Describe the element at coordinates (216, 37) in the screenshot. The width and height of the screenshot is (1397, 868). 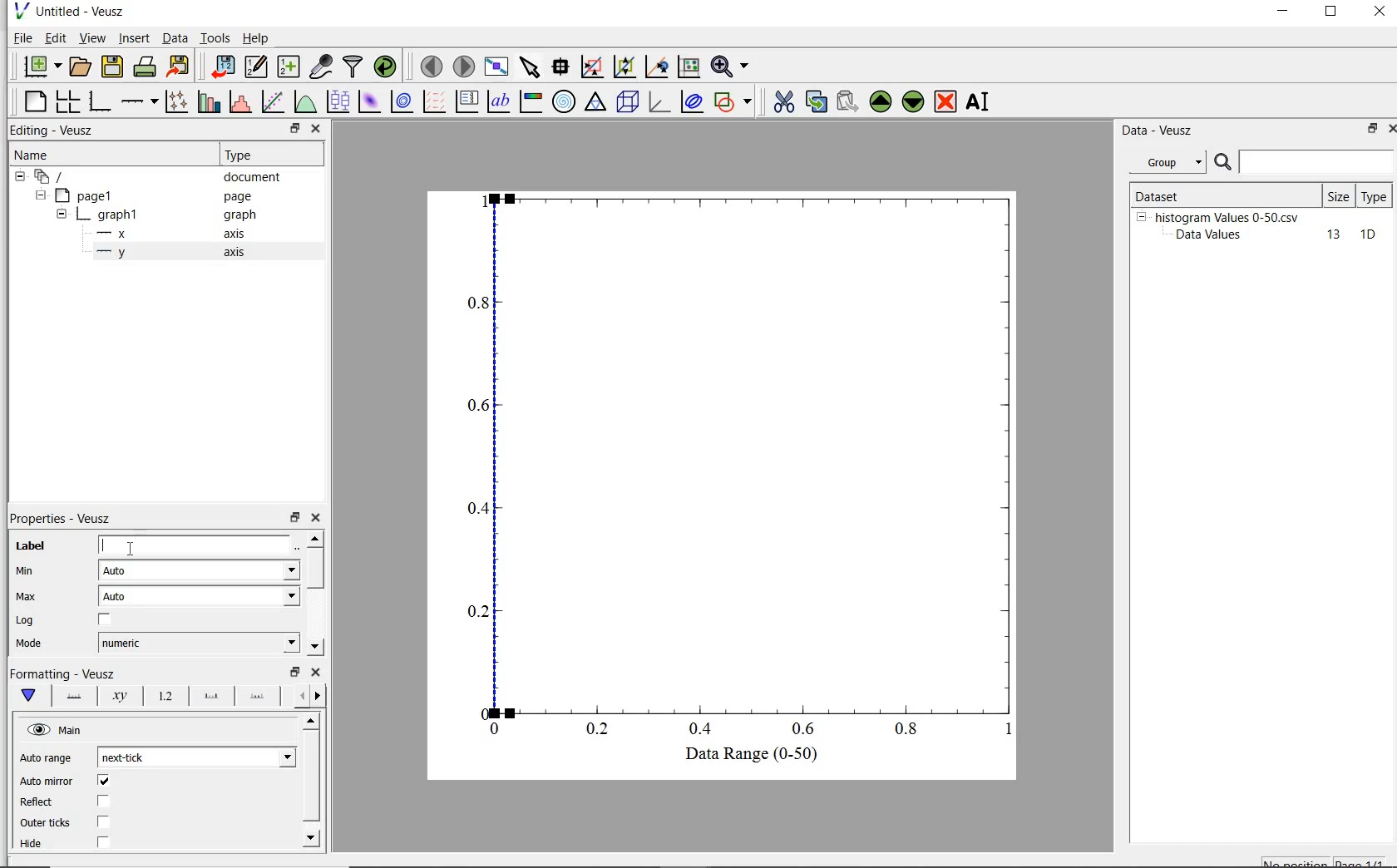
I see `tools ` at that location.